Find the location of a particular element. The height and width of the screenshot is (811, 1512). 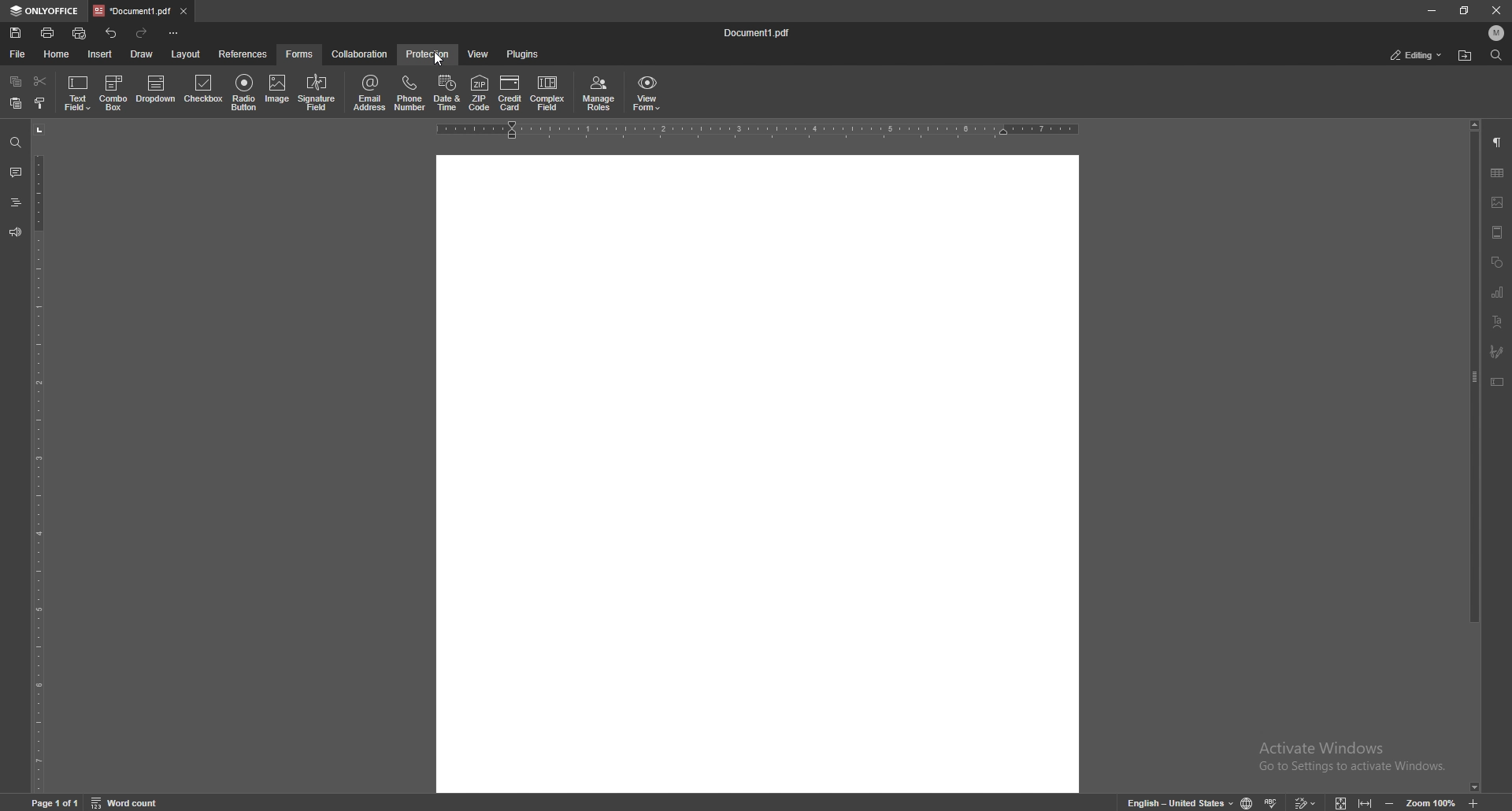

copy is located at coordinates (16, 82).